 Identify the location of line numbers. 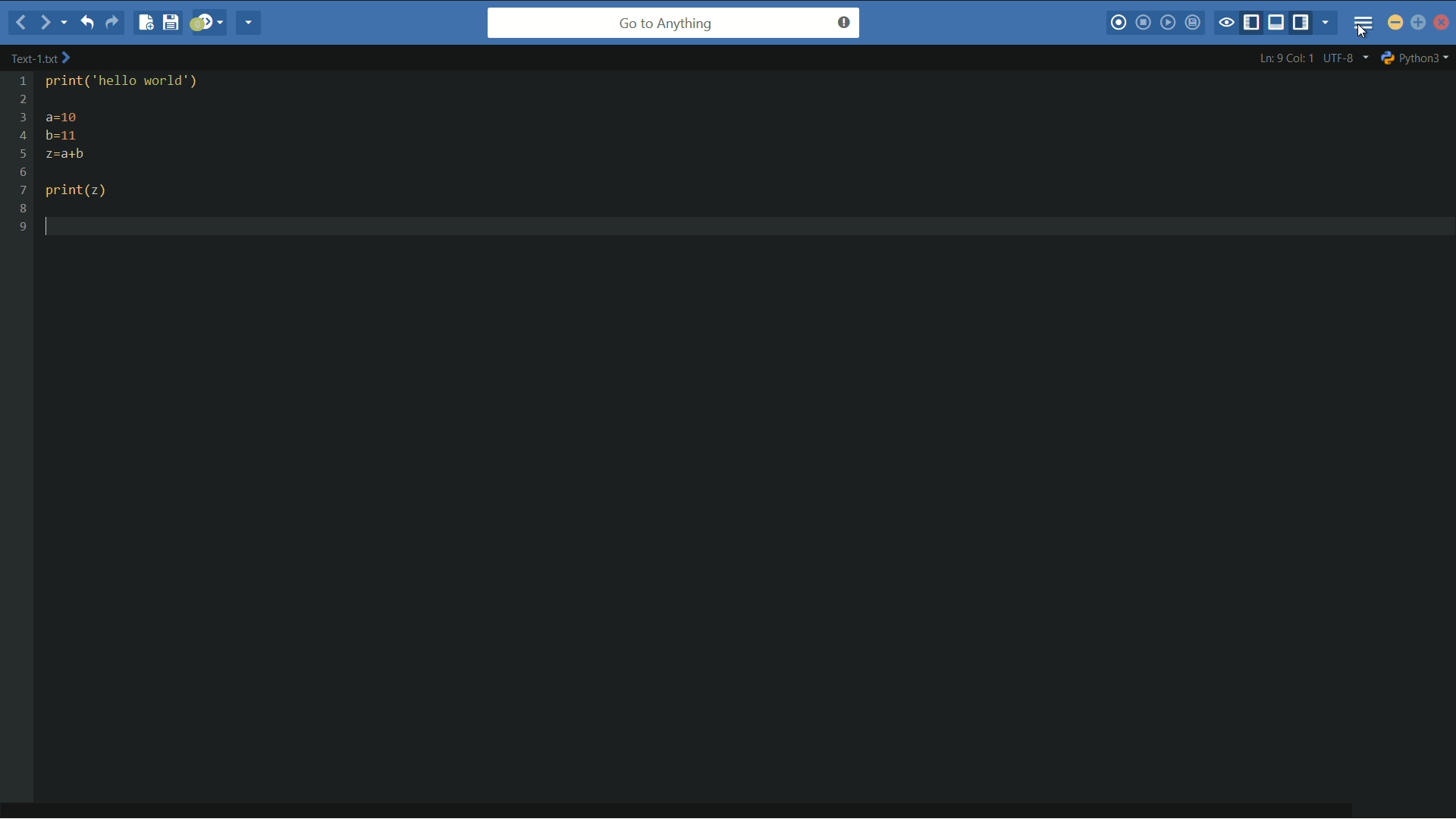
(22, 154).